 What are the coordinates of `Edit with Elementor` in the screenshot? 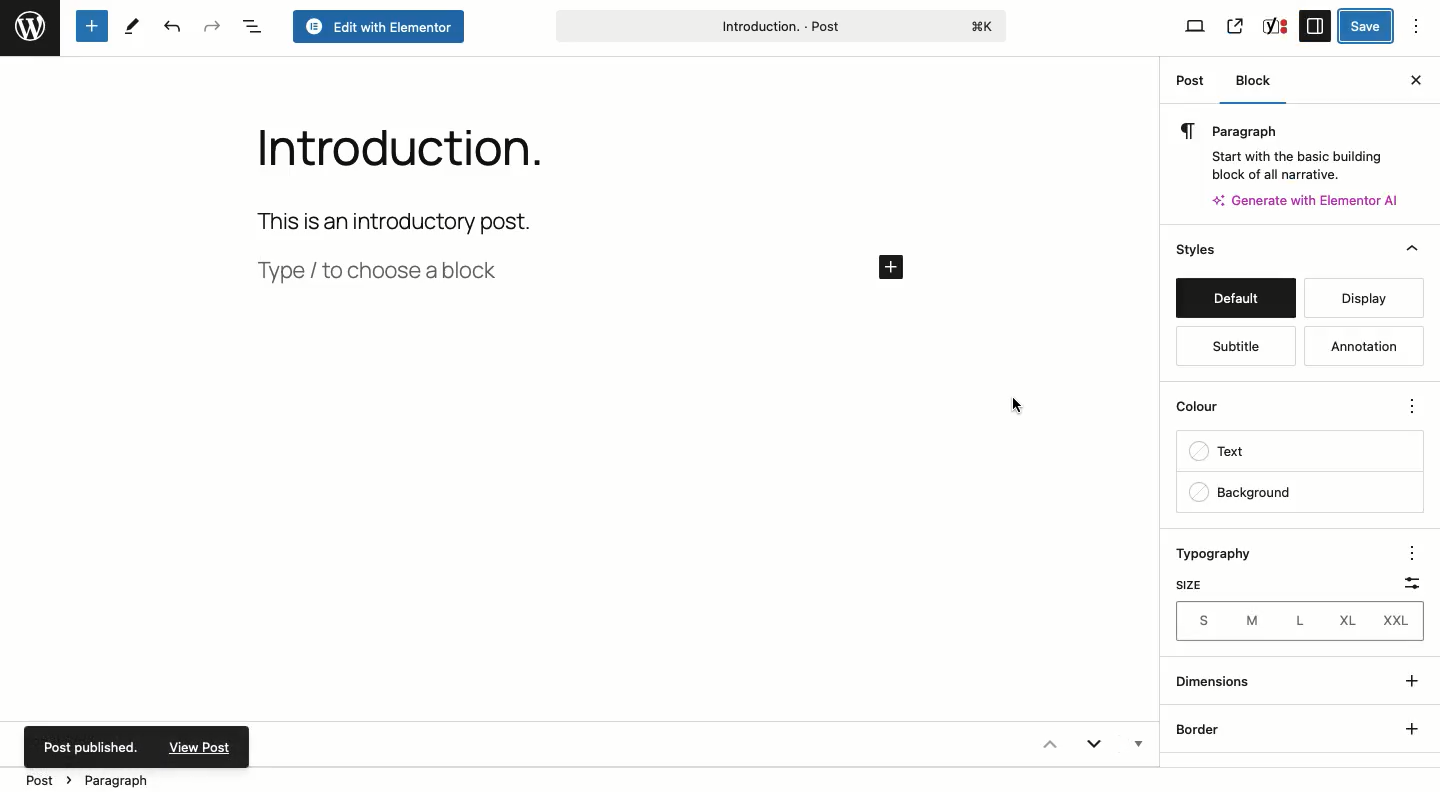 It's located at (380, 28).